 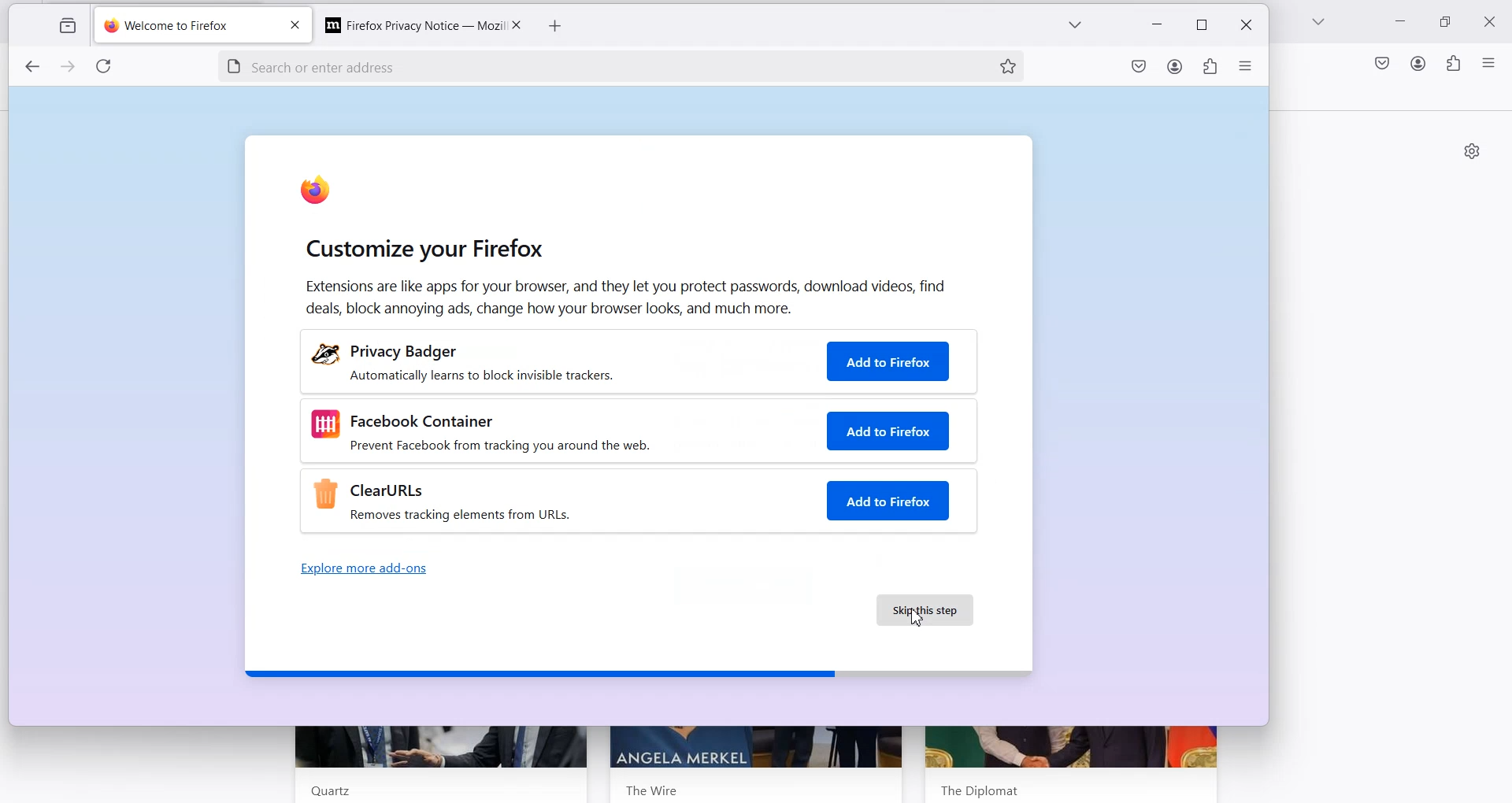 What do you see at coordinates (413, 349) in the screenshot?
I see `Privacy Badger` at bounding box center [413, 349].